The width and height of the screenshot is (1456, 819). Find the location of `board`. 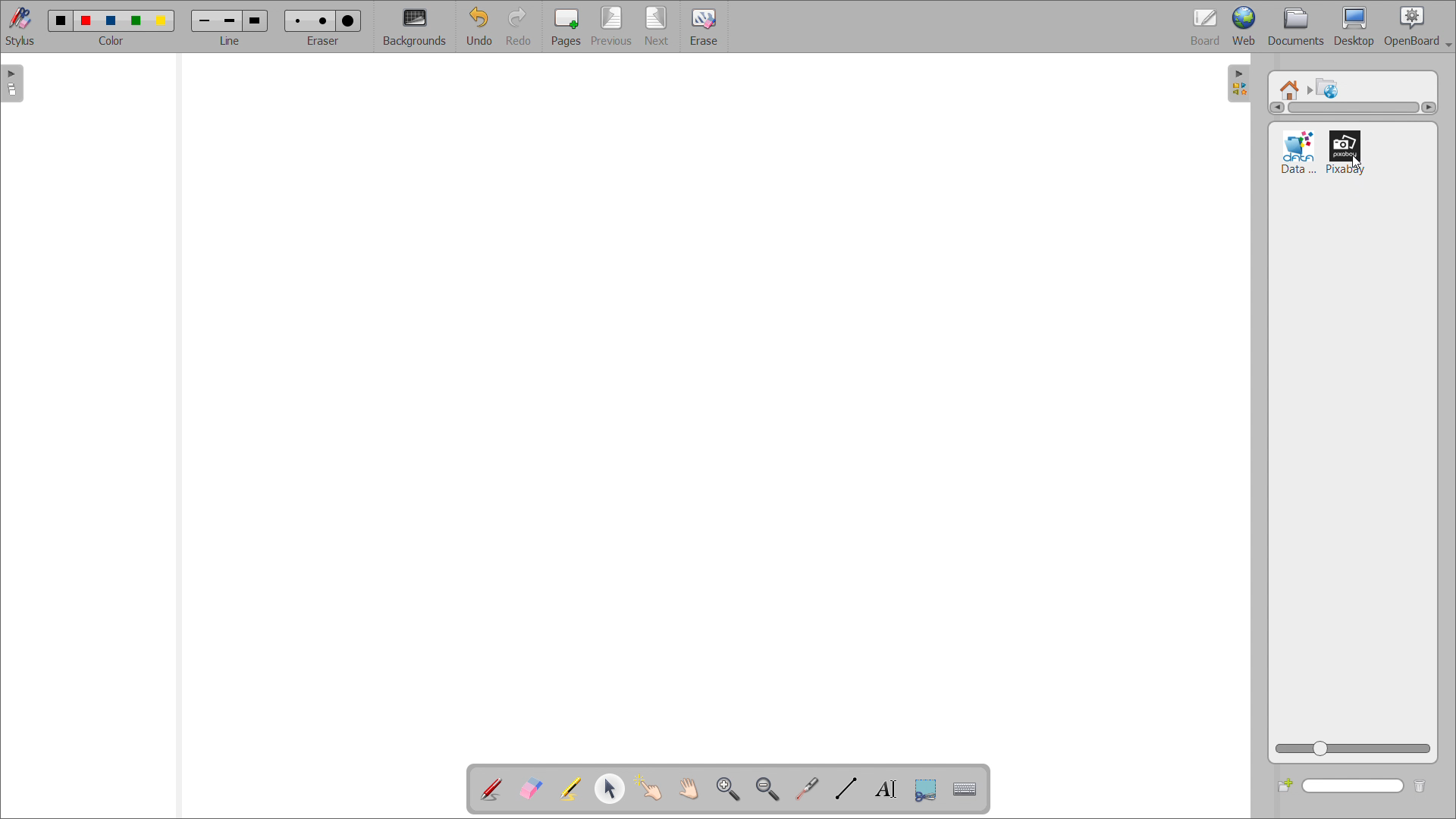

board is located at coordinates (1206, 27).